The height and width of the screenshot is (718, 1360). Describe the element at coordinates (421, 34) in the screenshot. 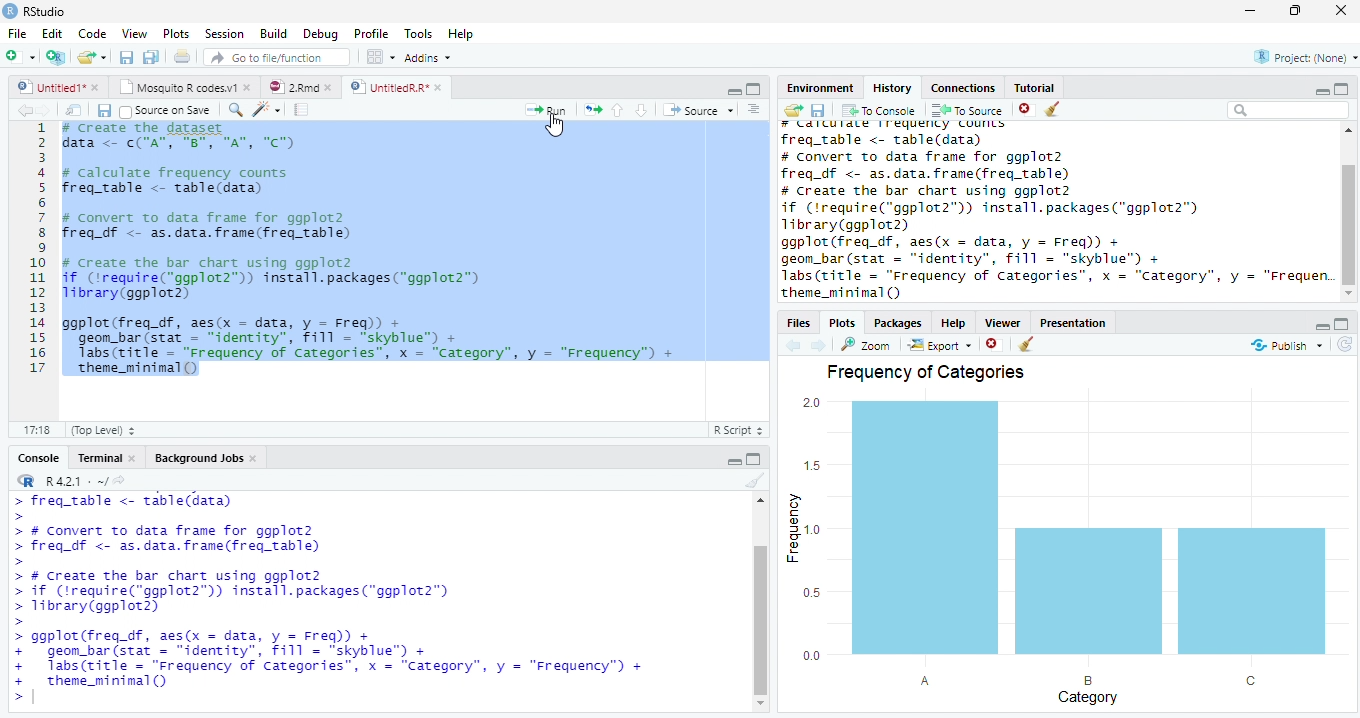

I see `Tools` at that location.